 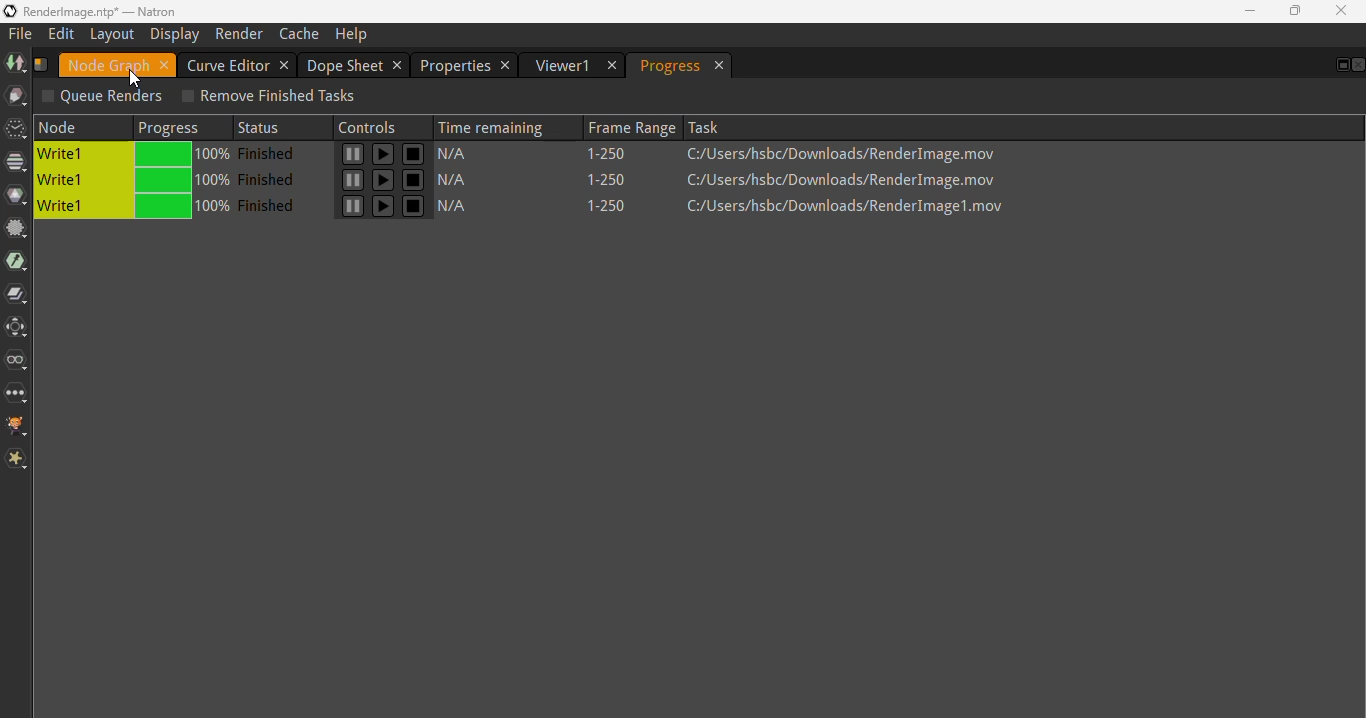 What do you see at coordinates (300, 34) in the screenshot?
I see `cache` at bounding box center [300, 34].